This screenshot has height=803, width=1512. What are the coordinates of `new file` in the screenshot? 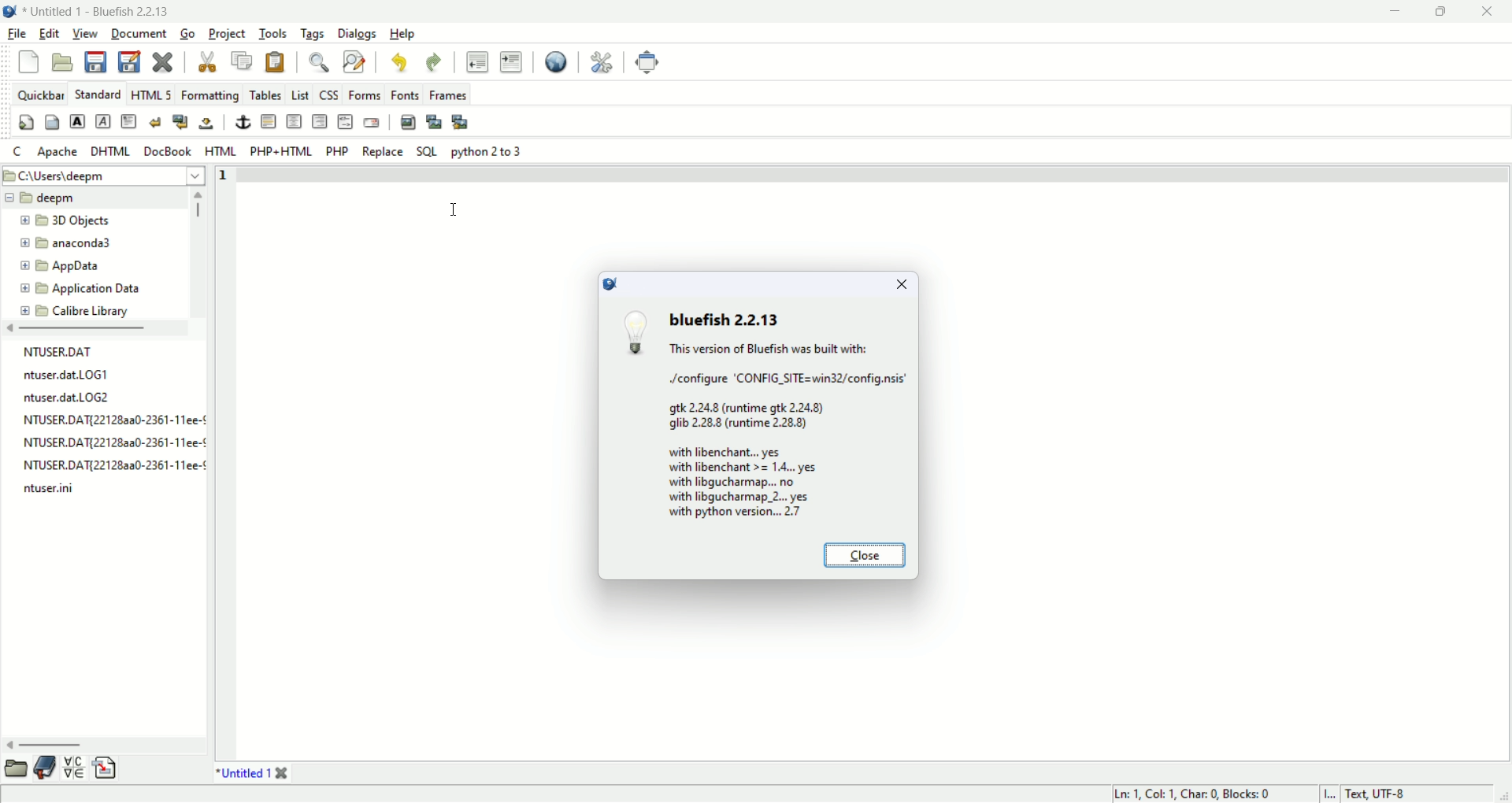 It's located at (29, 61).